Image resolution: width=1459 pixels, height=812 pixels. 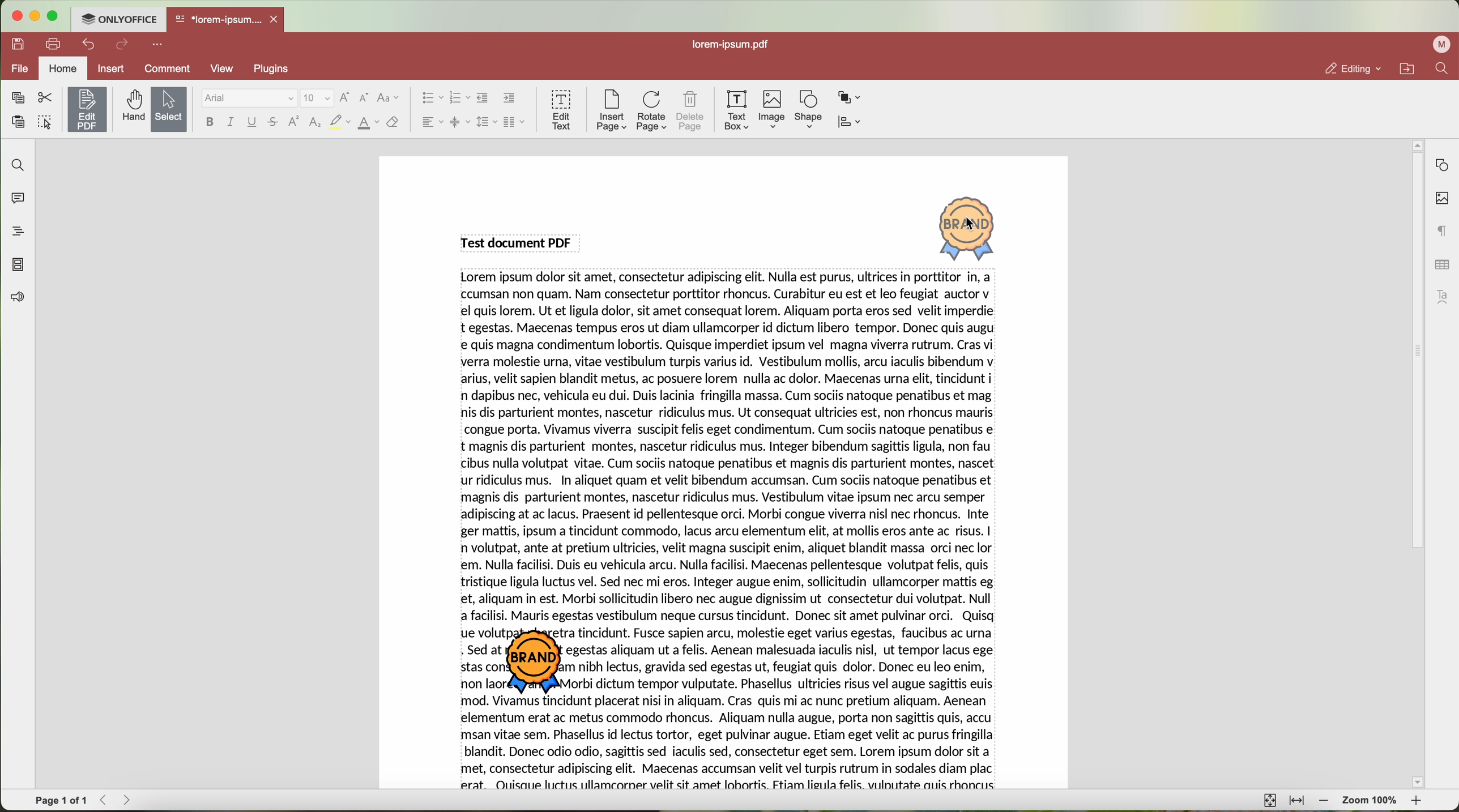 What do you see at coordinates (107, 800) in the screenshot?
I see `Backward` at bounding box center [107, 800].